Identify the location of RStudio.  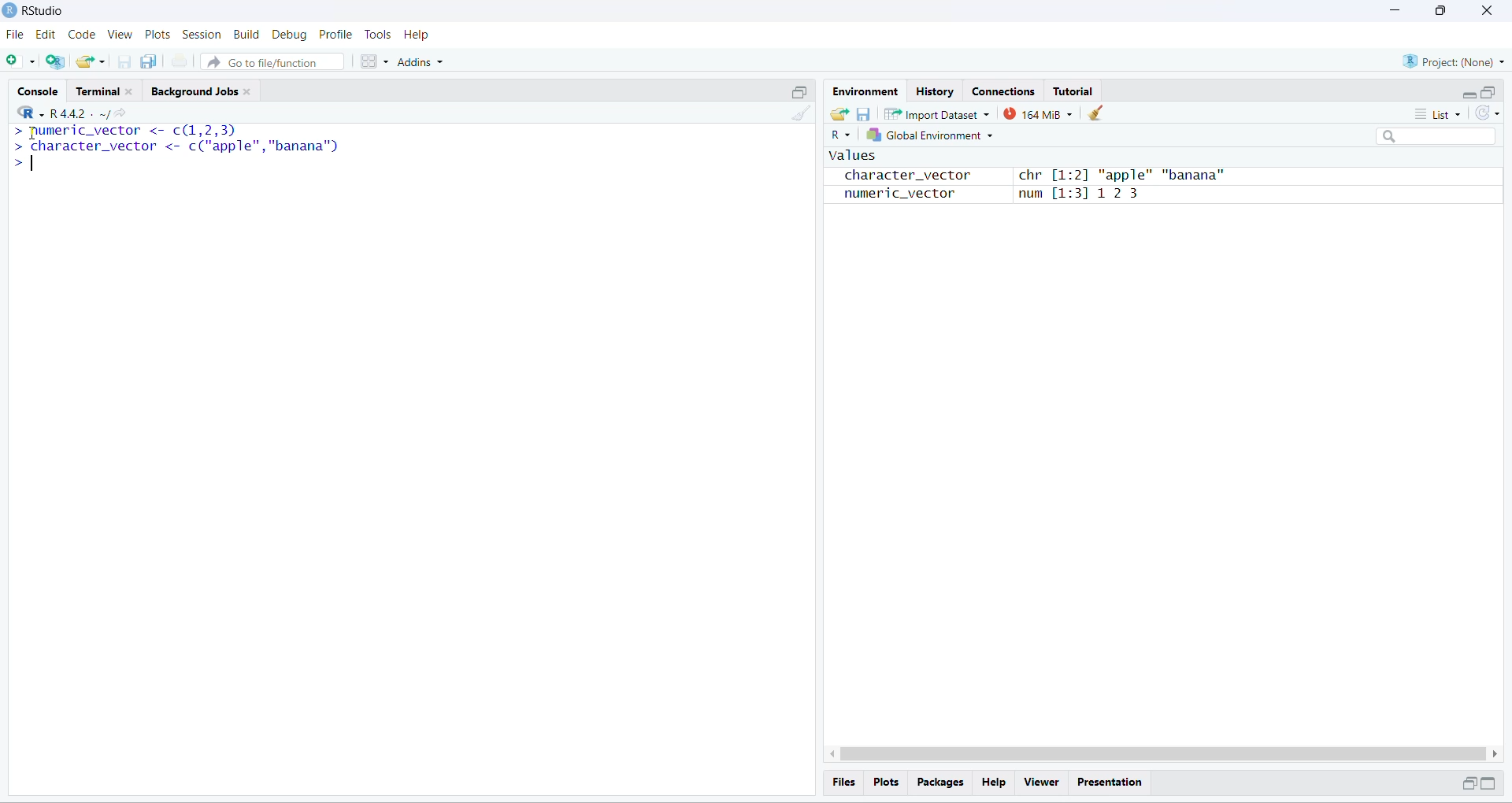
(47, 9).